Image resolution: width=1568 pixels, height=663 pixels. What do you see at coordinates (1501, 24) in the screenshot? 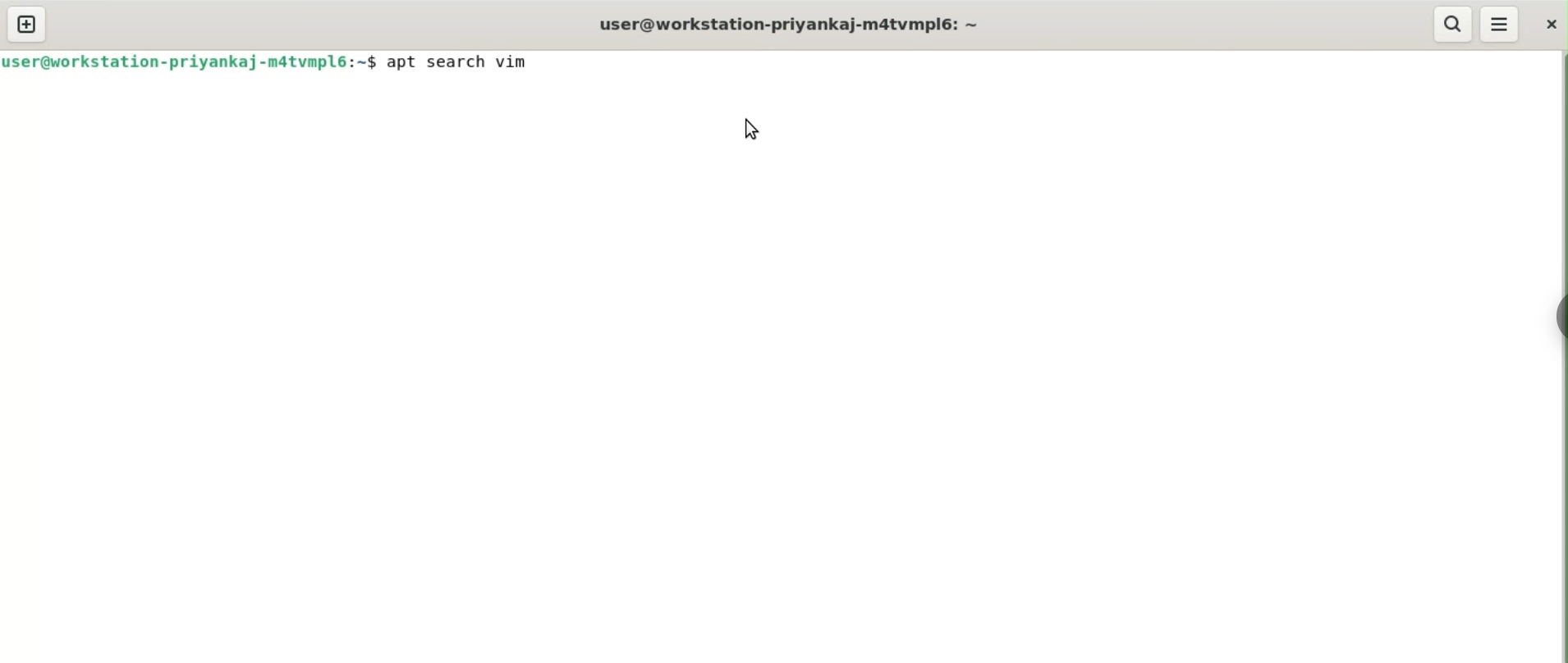
I see `menu` at bounding box center [1501, 24].